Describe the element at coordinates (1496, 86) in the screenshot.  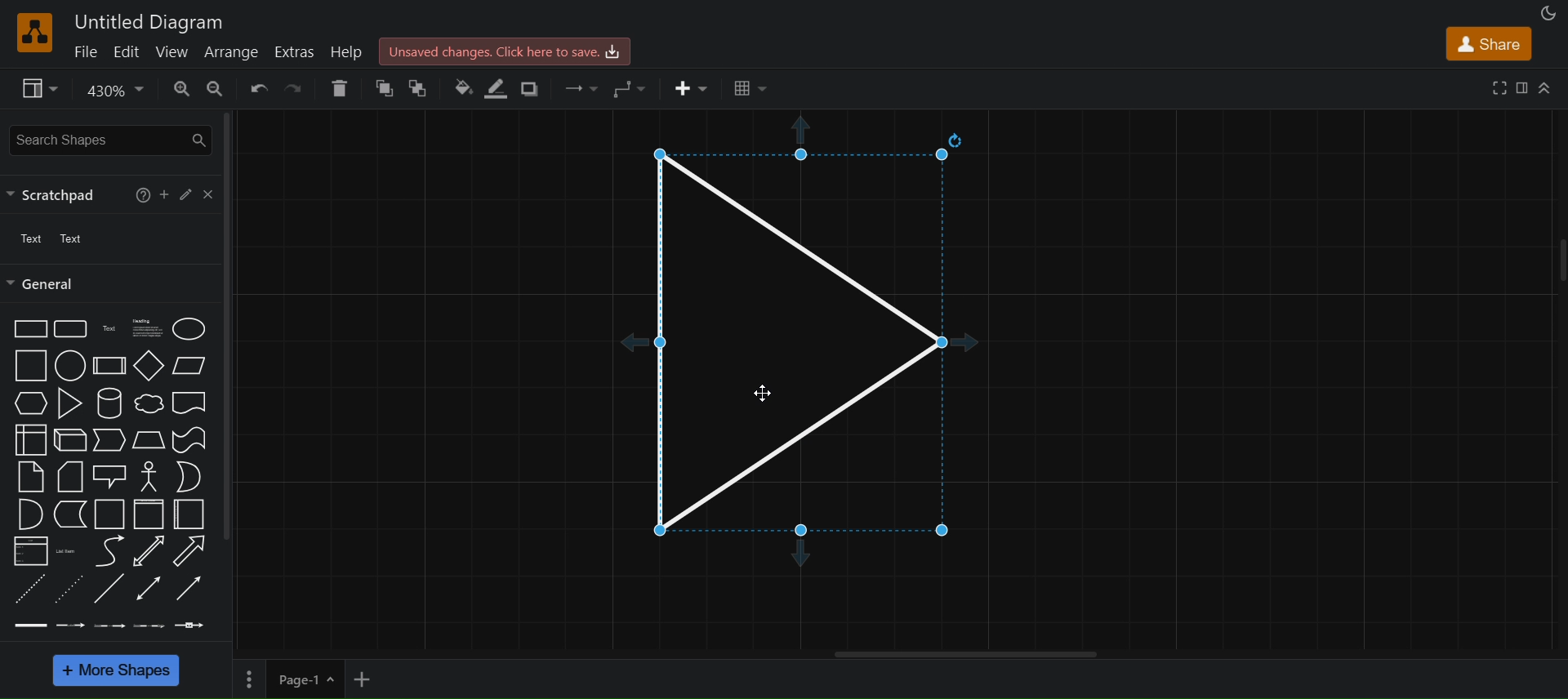
I see `fullscreen` at that location.